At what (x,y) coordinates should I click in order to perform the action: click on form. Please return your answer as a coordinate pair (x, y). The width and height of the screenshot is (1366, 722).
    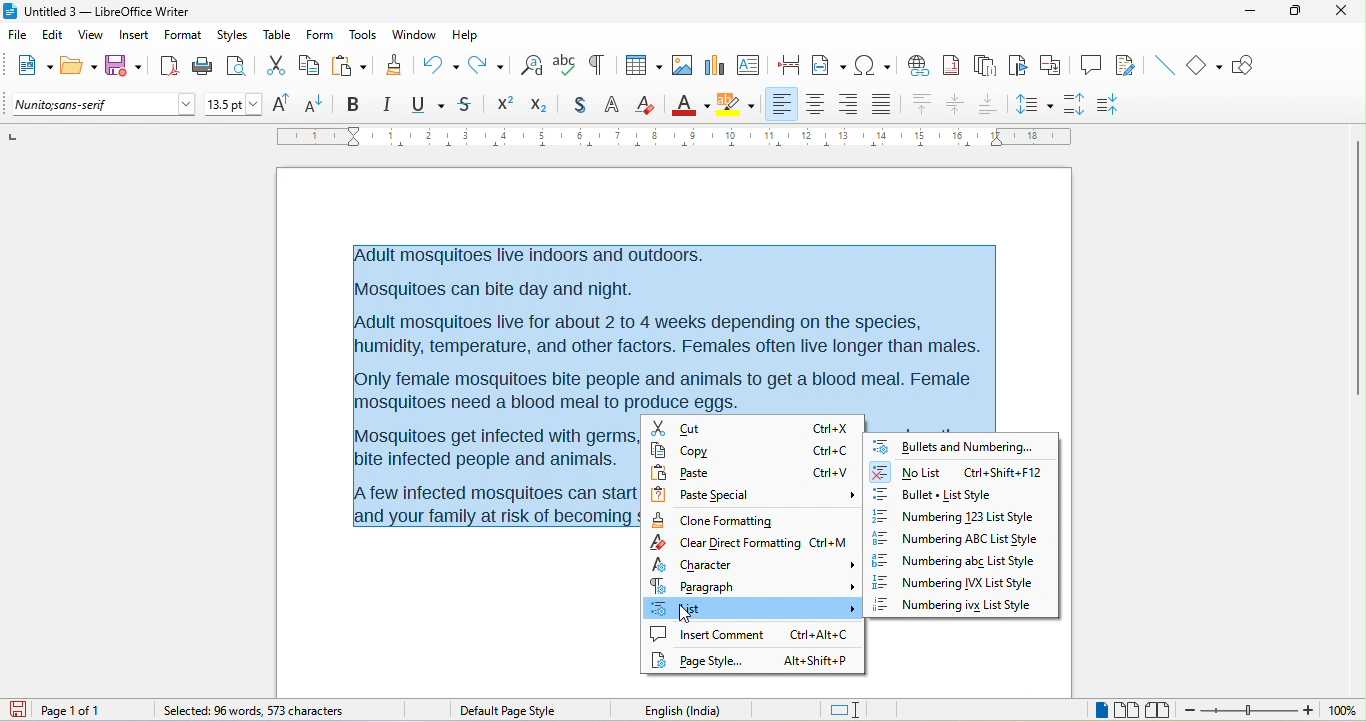
    Looking at the image, I should click on (321, 36).